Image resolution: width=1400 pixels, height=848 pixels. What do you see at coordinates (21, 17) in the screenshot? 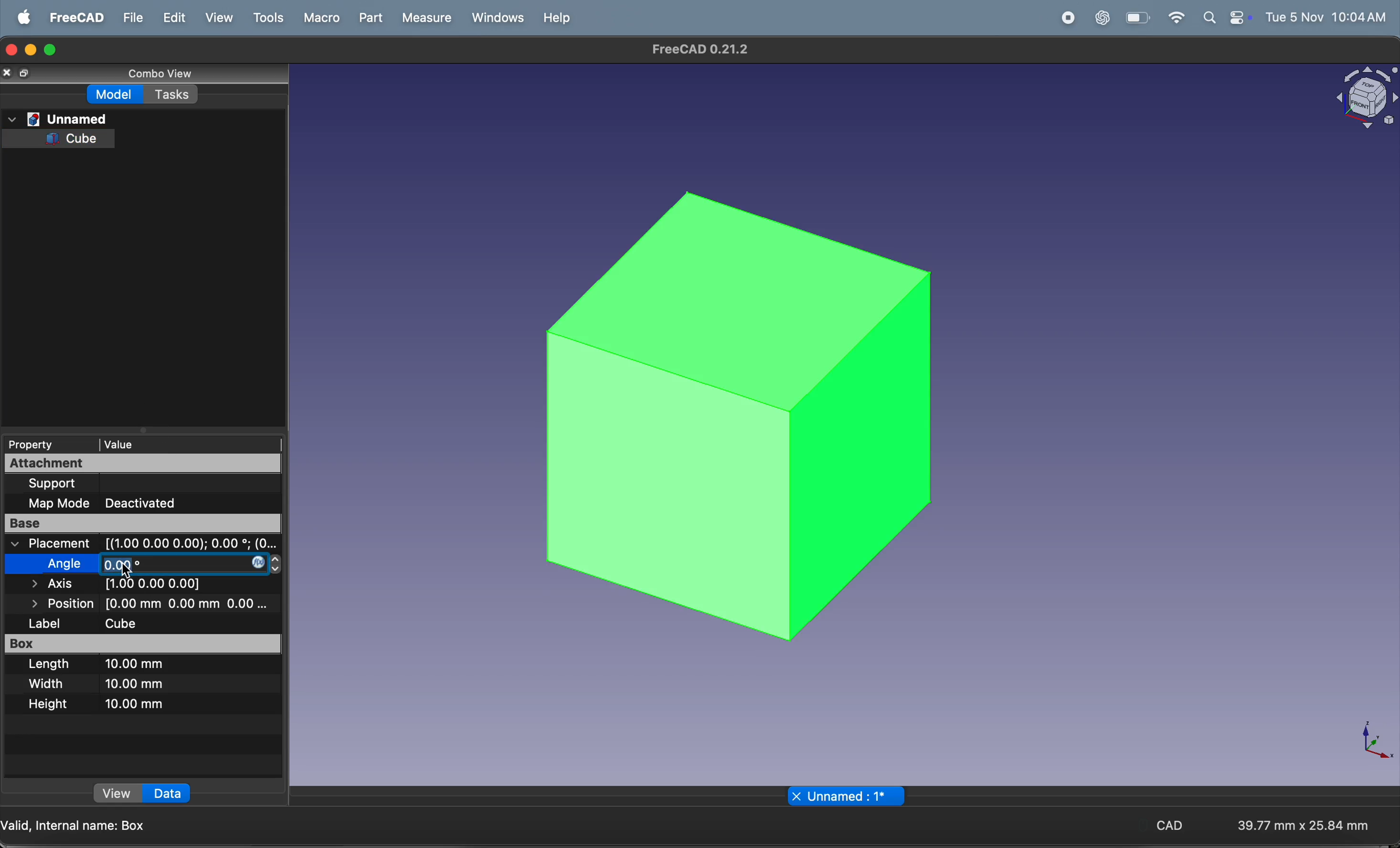
I see `apple` at bounding box center [21, 17].